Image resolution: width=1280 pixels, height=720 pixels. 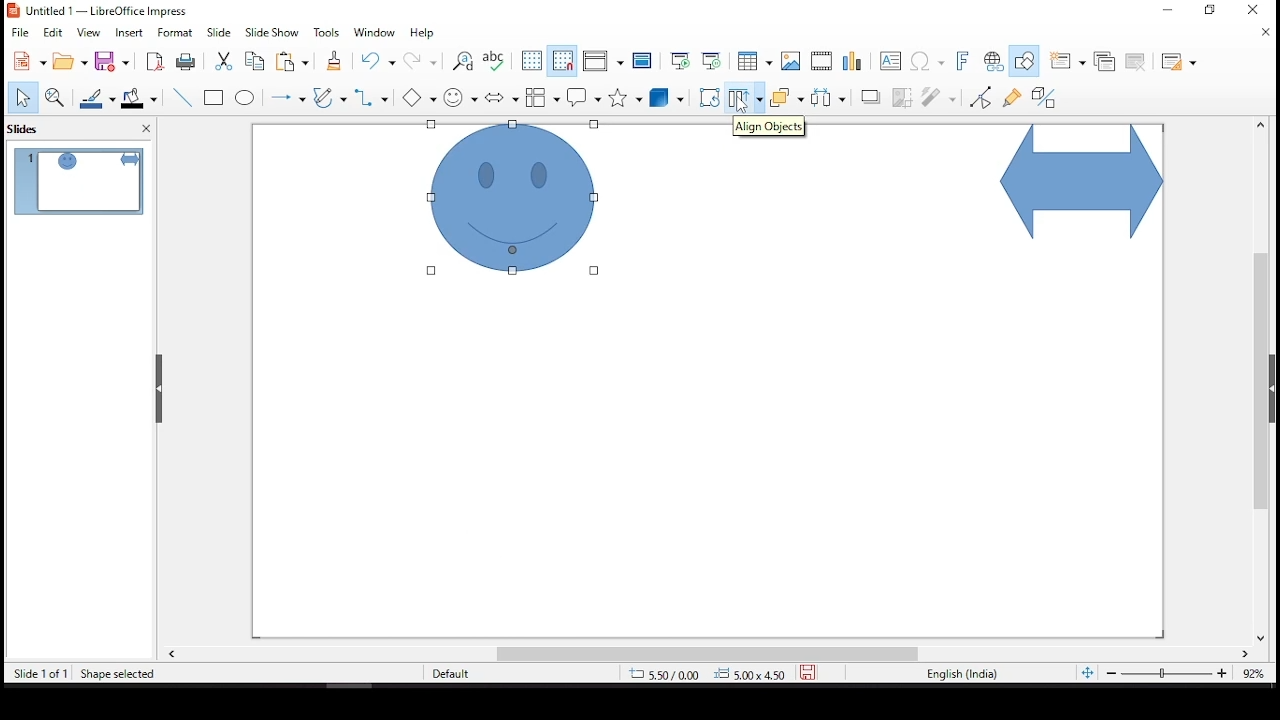 What do you see at coordinates (743, 109) in the screenshot?
I see `mouse pointer` at bounding box center [743, 109].